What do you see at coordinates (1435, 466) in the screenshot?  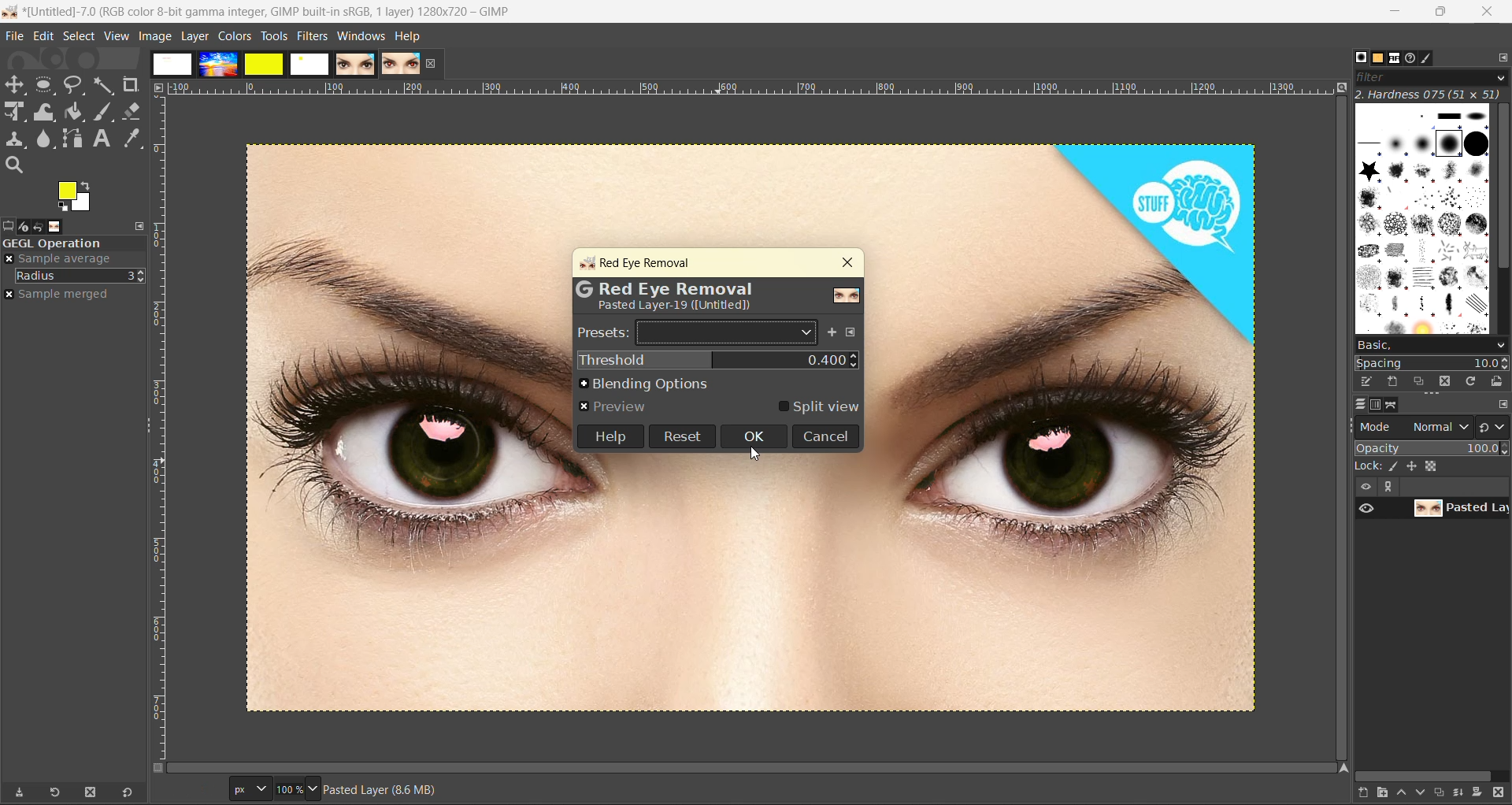 I see `size` at bounding box center [1435, 466].